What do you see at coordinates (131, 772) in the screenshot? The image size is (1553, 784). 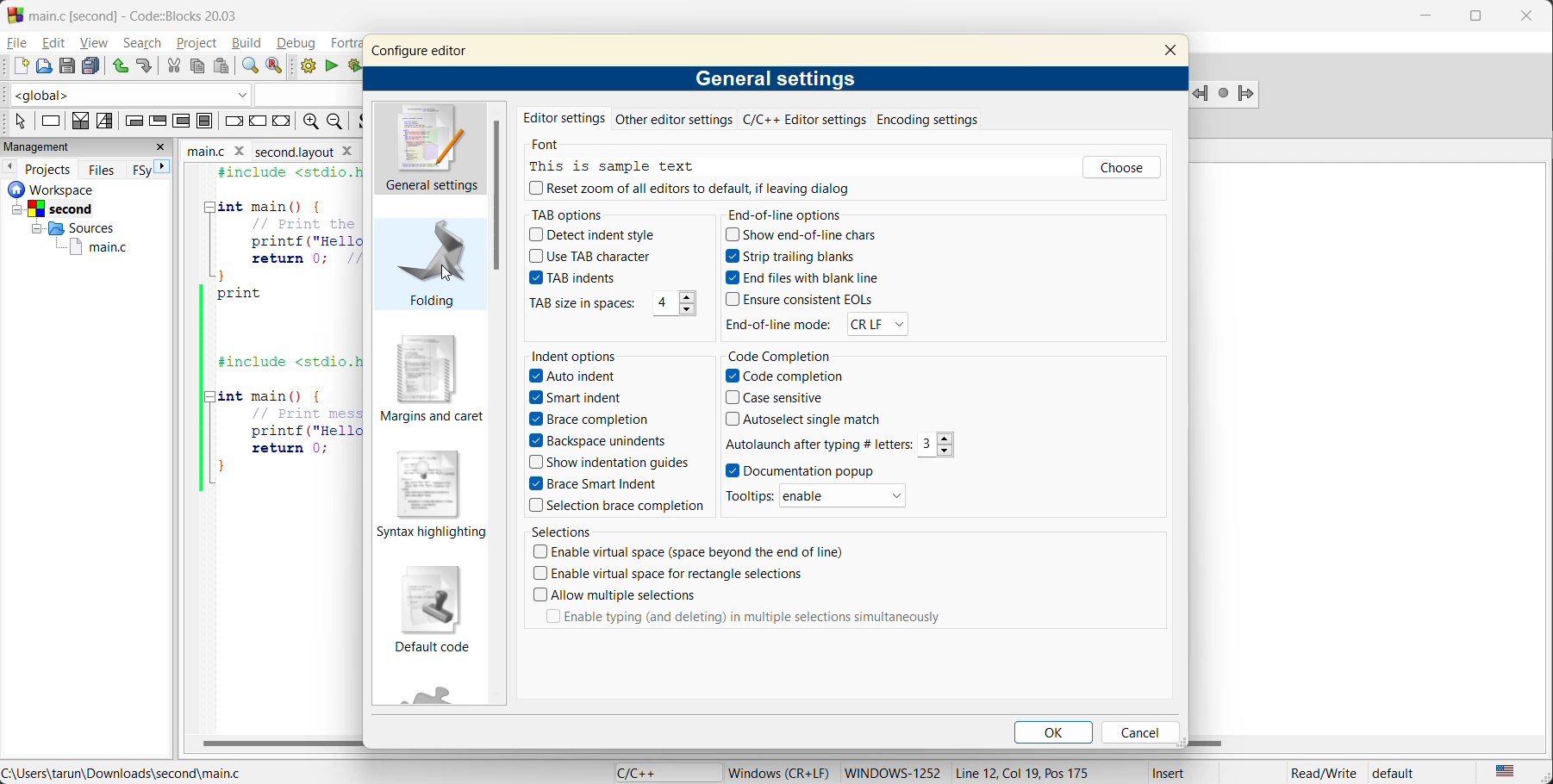 I see `file location` at bounding box center [131, 772].